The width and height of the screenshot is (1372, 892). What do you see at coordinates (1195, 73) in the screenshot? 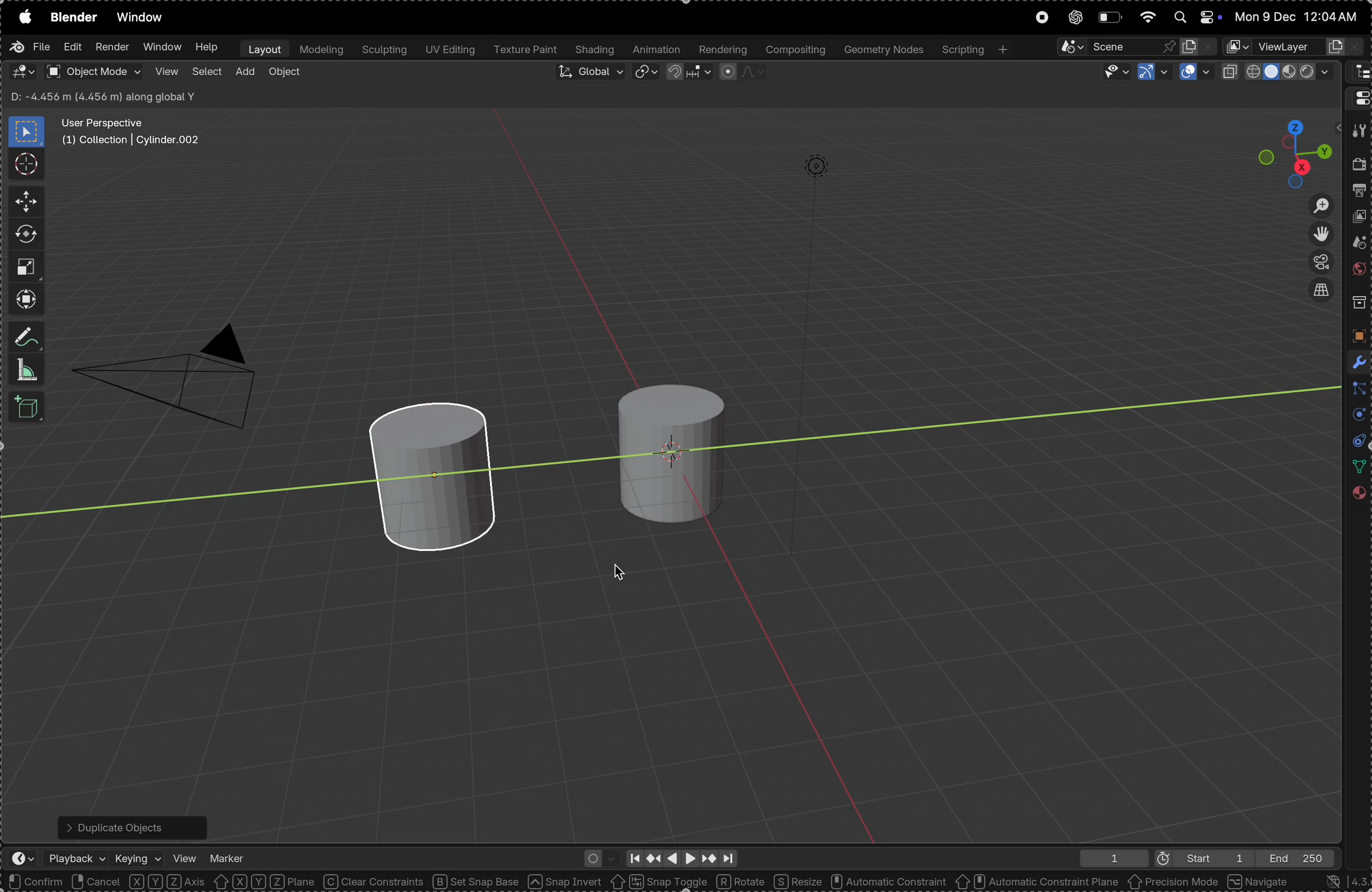
I see `show overlays` at bounding box center [1195, 73].